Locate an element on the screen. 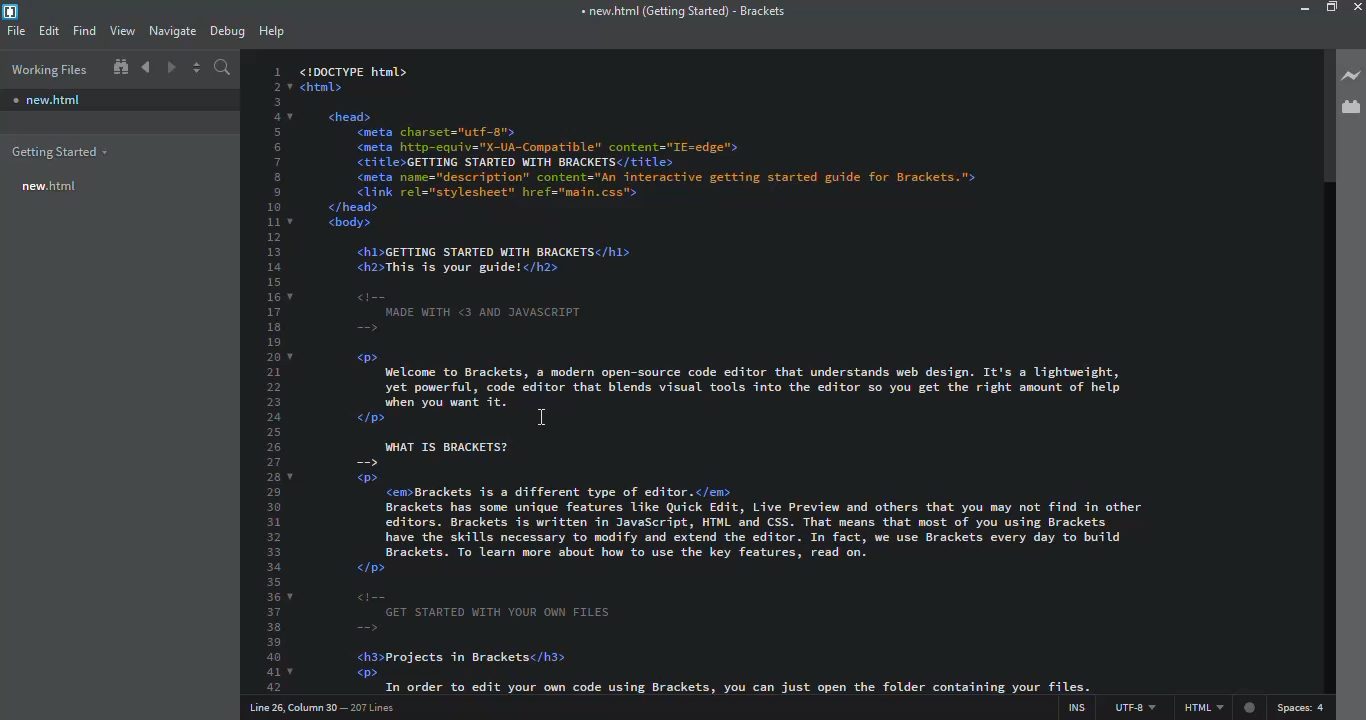 The height and width of the screenshot is (720, 1366). edit is located at coordinates (49, 31).